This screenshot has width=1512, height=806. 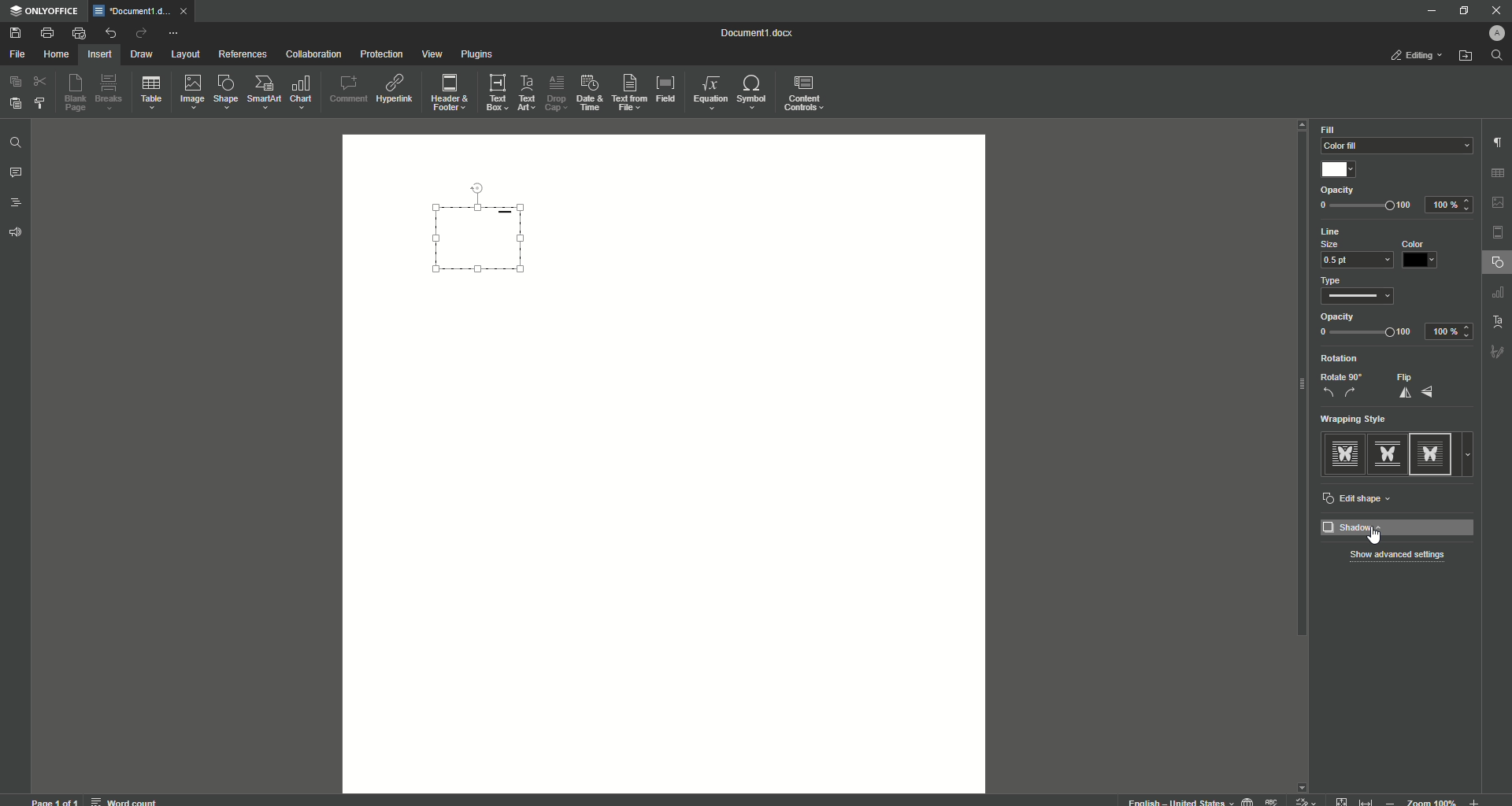 What do you see at coordinates (224, 91) in the screenshot?
I see `Shape` at bounding box center [224, 91].